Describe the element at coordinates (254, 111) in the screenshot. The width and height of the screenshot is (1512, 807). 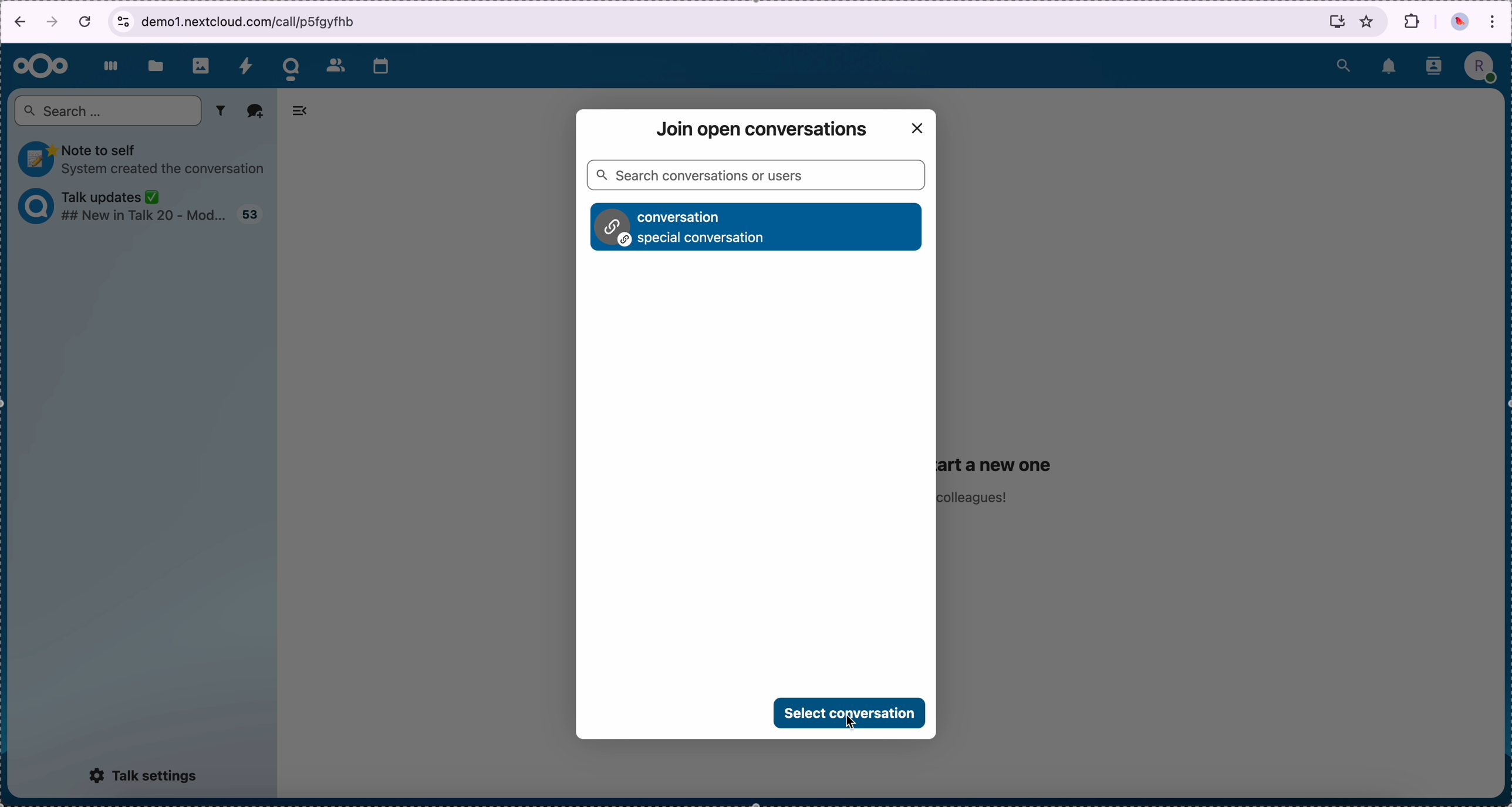
I see `add` at that location.